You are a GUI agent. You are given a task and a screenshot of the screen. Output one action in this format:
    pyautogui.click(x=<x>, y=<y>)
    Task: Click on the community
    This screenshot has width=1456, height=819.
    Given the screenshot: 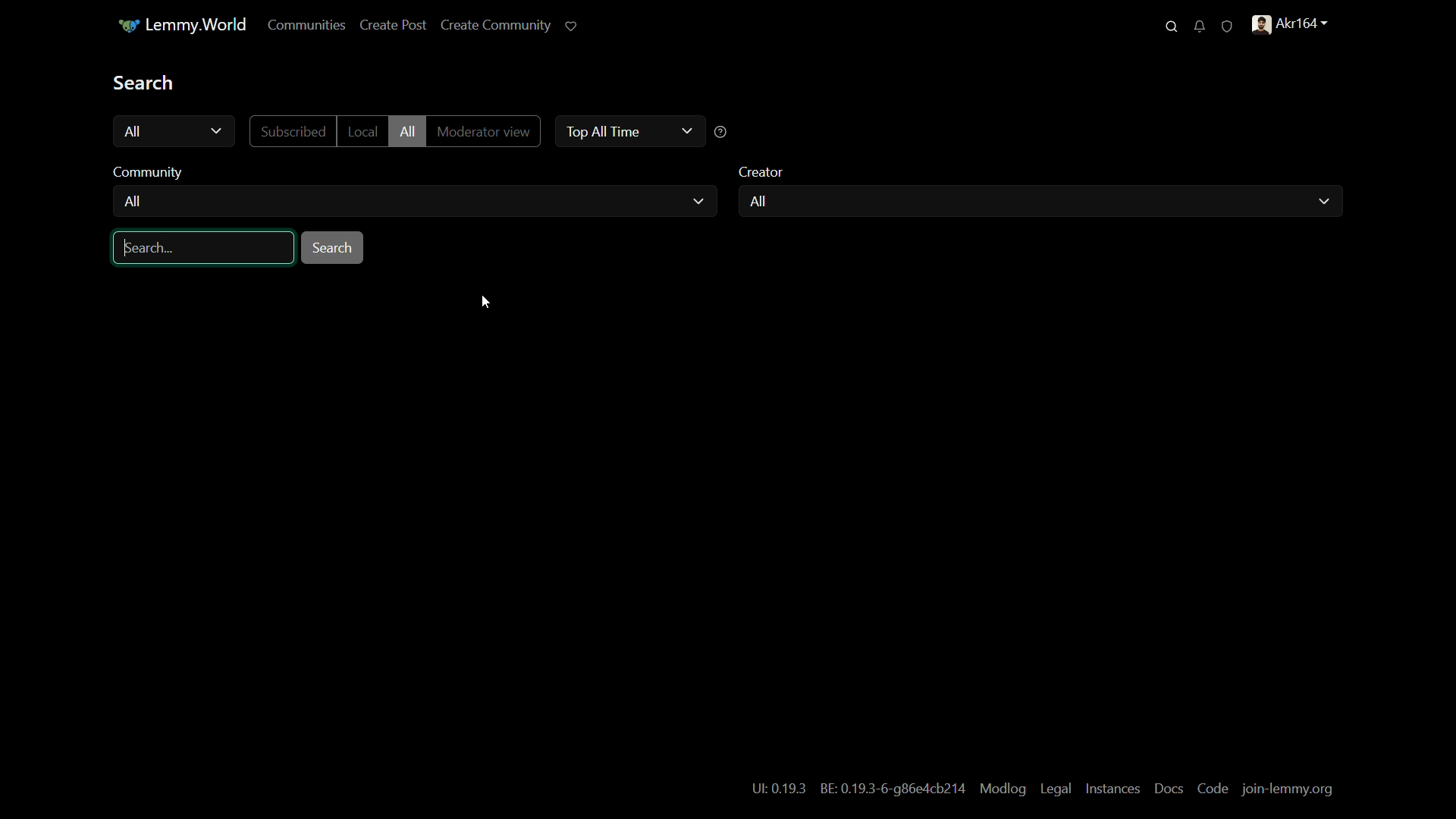 What is the action you would take?
    pyautogui.click(x=152, y=172)
    